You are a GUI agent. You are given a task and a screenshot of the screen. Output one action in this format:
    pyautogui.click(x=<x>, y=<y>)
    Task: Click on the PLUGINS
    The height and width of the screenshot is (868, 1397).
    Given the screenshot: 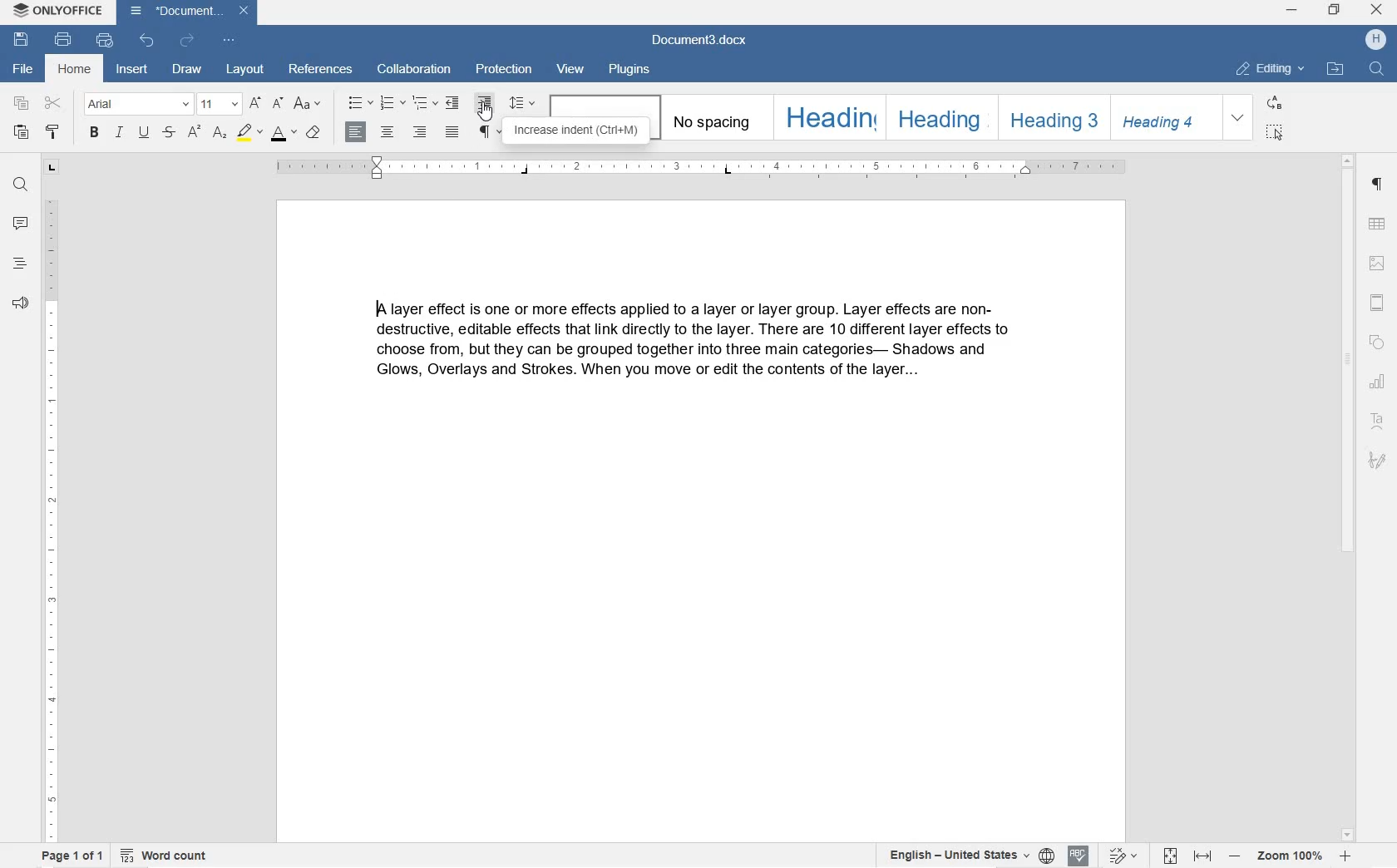 What is the action you would take?
    pyautogui.click(x=633, y=69)
    